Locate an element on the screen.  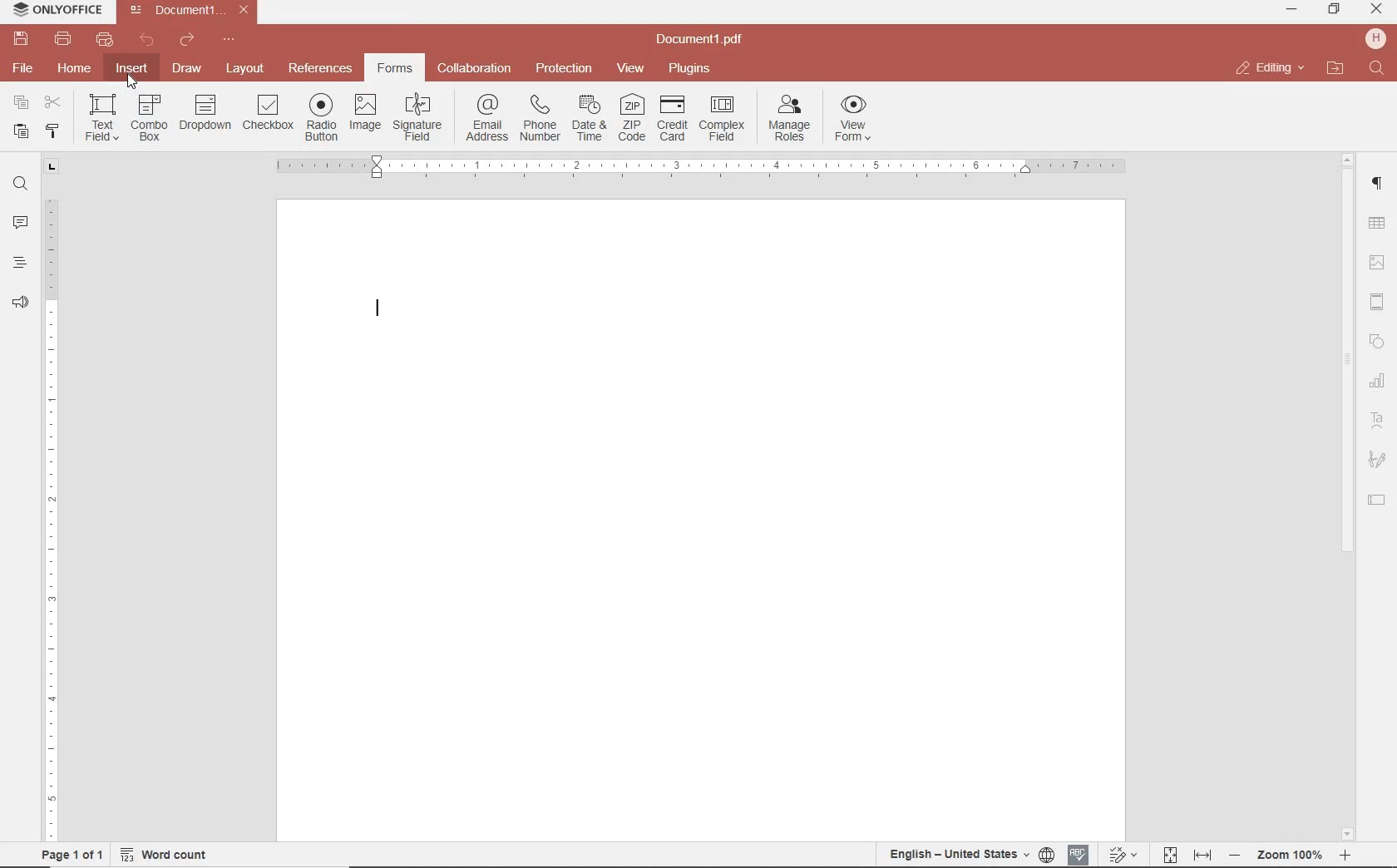
view form is located at coordinates (854, 121).